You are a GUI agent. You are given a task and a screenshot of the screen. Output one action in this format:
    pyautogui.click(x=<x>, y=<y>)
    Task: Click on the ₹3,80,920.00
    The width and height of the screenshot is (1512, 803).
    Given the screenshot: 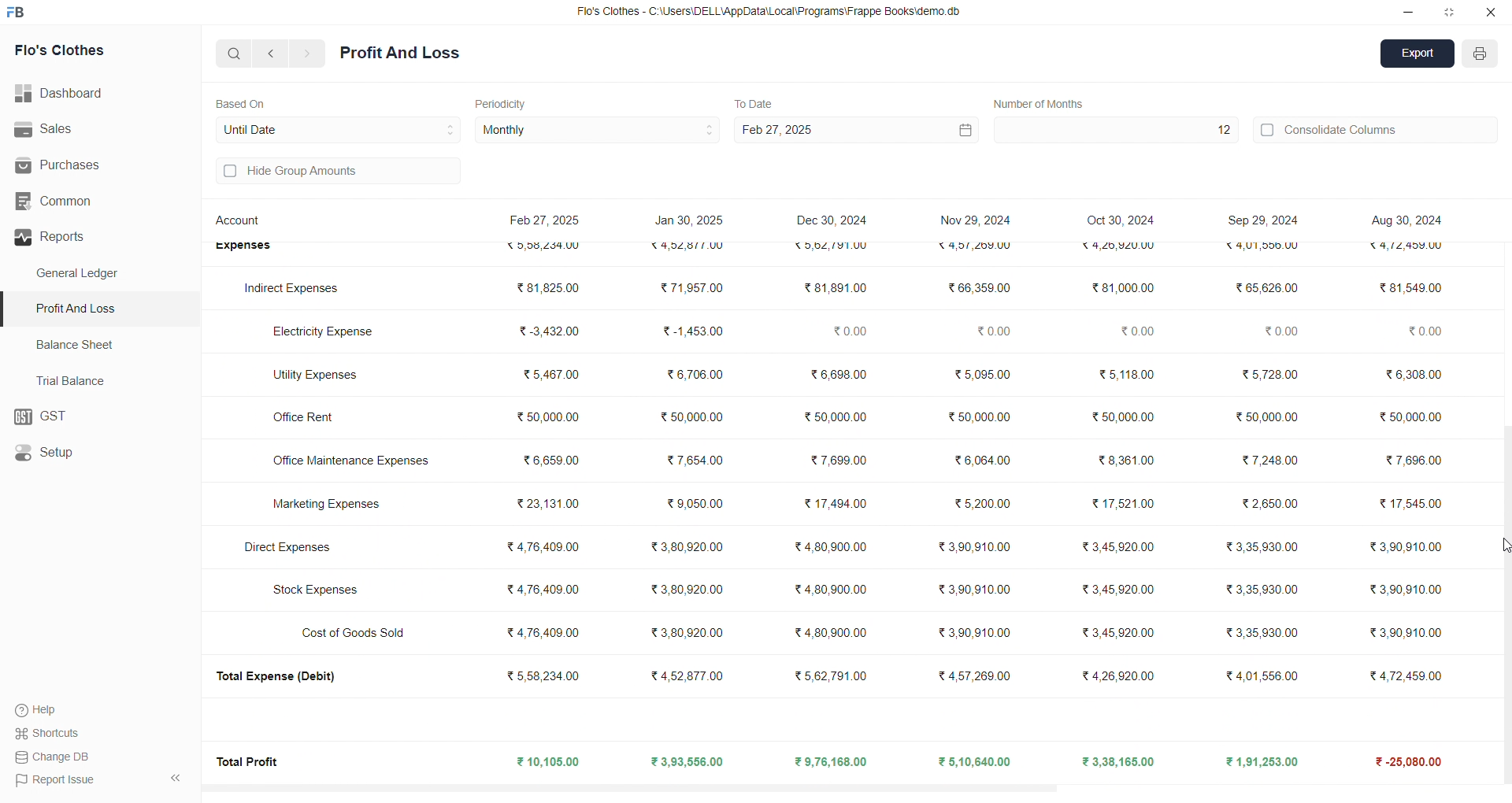 What is the action you would take?
    pyautogui.click(x=691, y=631)
    